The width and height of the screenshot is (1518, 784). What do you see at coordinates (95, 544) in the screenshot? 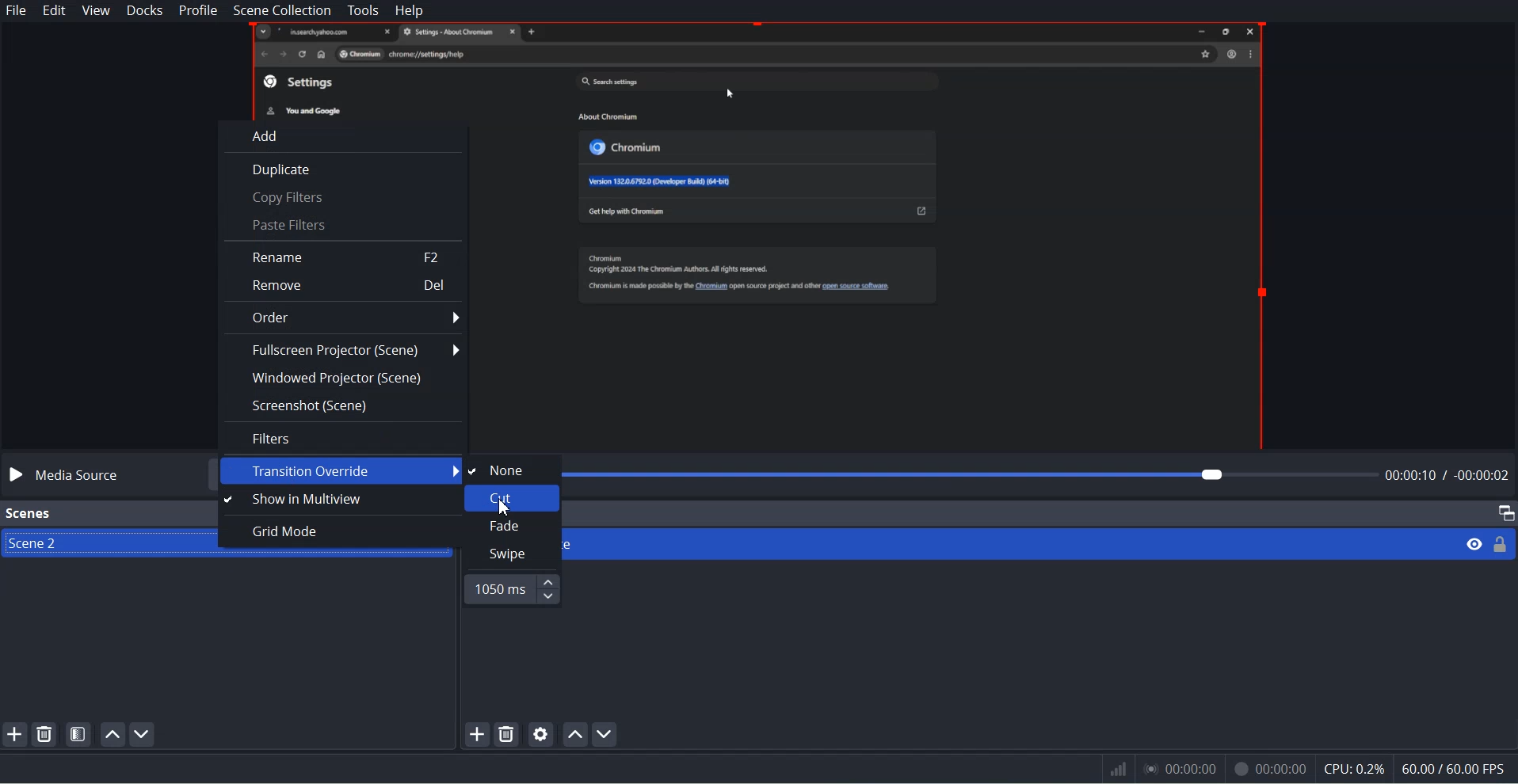
I see `Scene` at bounding box center [95, 544].